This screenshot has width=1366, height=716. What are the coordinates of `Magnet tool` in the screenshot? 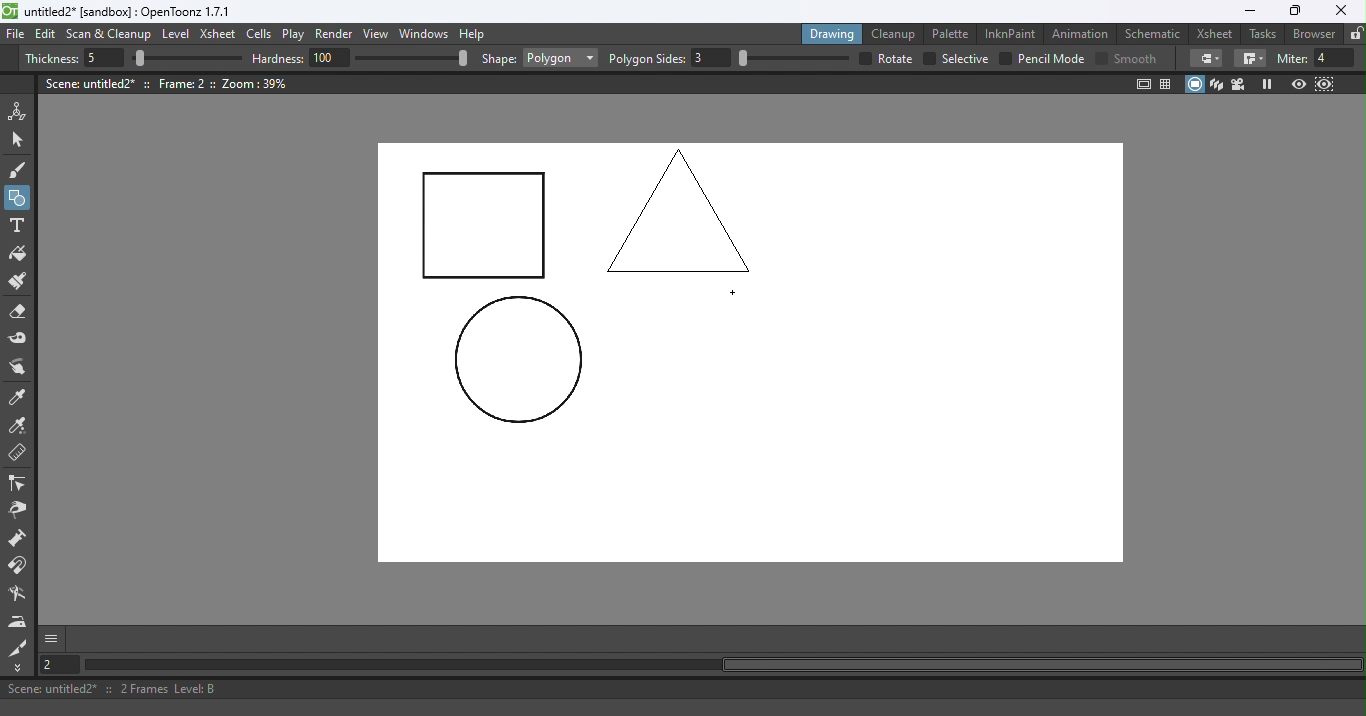 It's located at (19, 540).